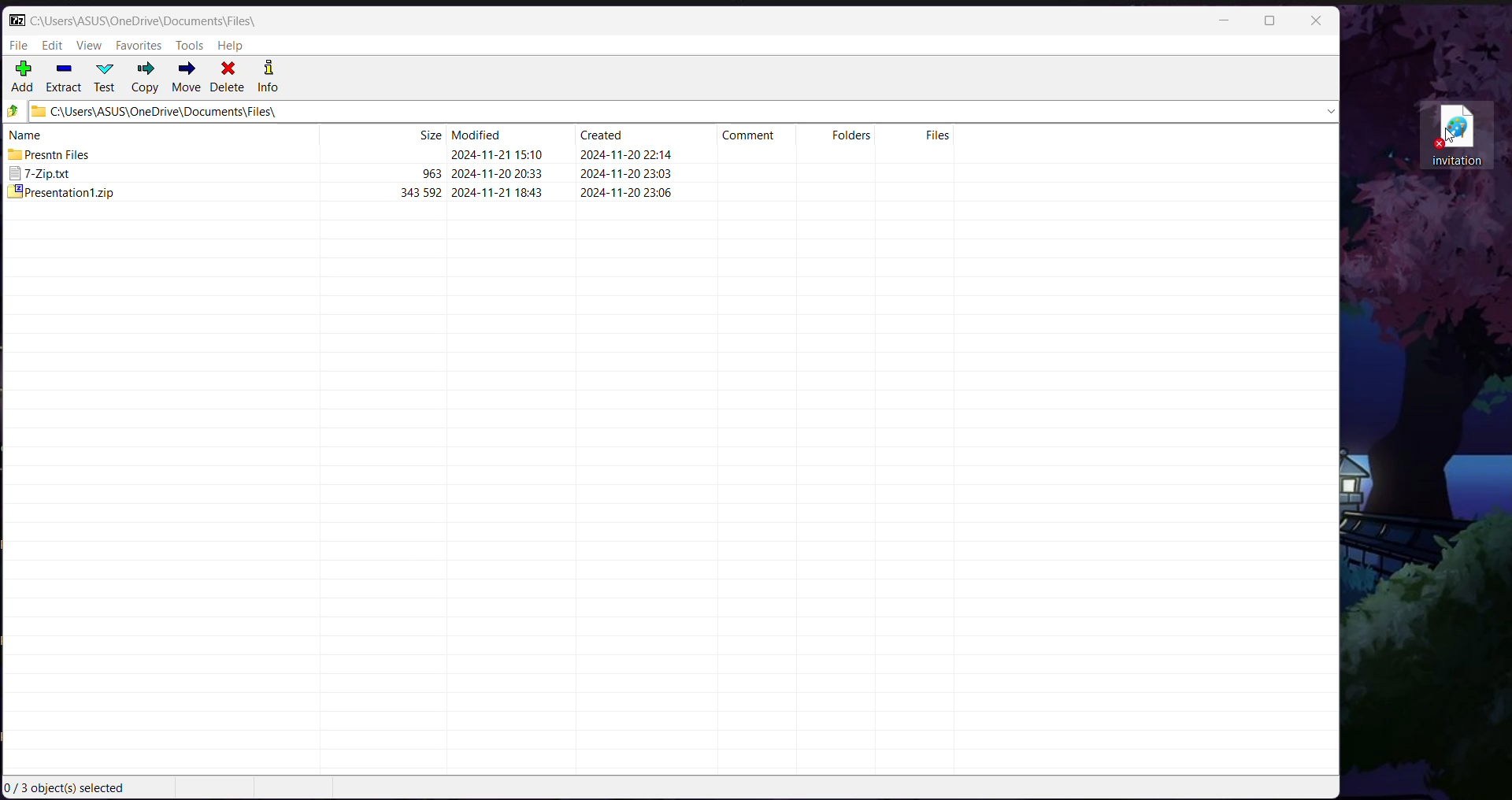 This screenshot has height=800, width=1512. I want to click on presentationt.zip 343592 2024-11-211843 2024-11-20 23:06, so click(341, 194).